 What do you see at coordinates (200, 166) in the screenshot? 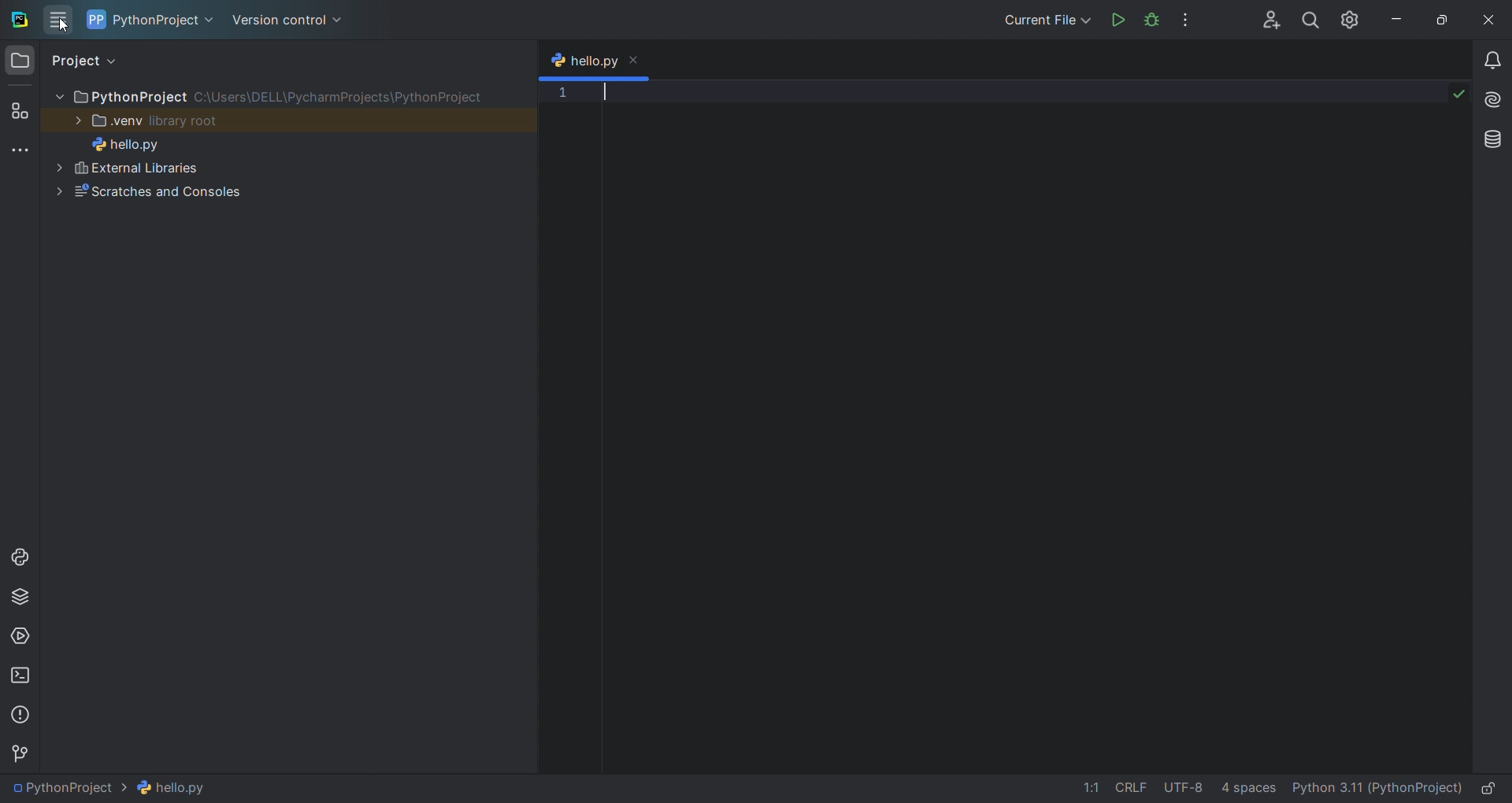
I see `External Libraries` at bounding box center [200, 166].